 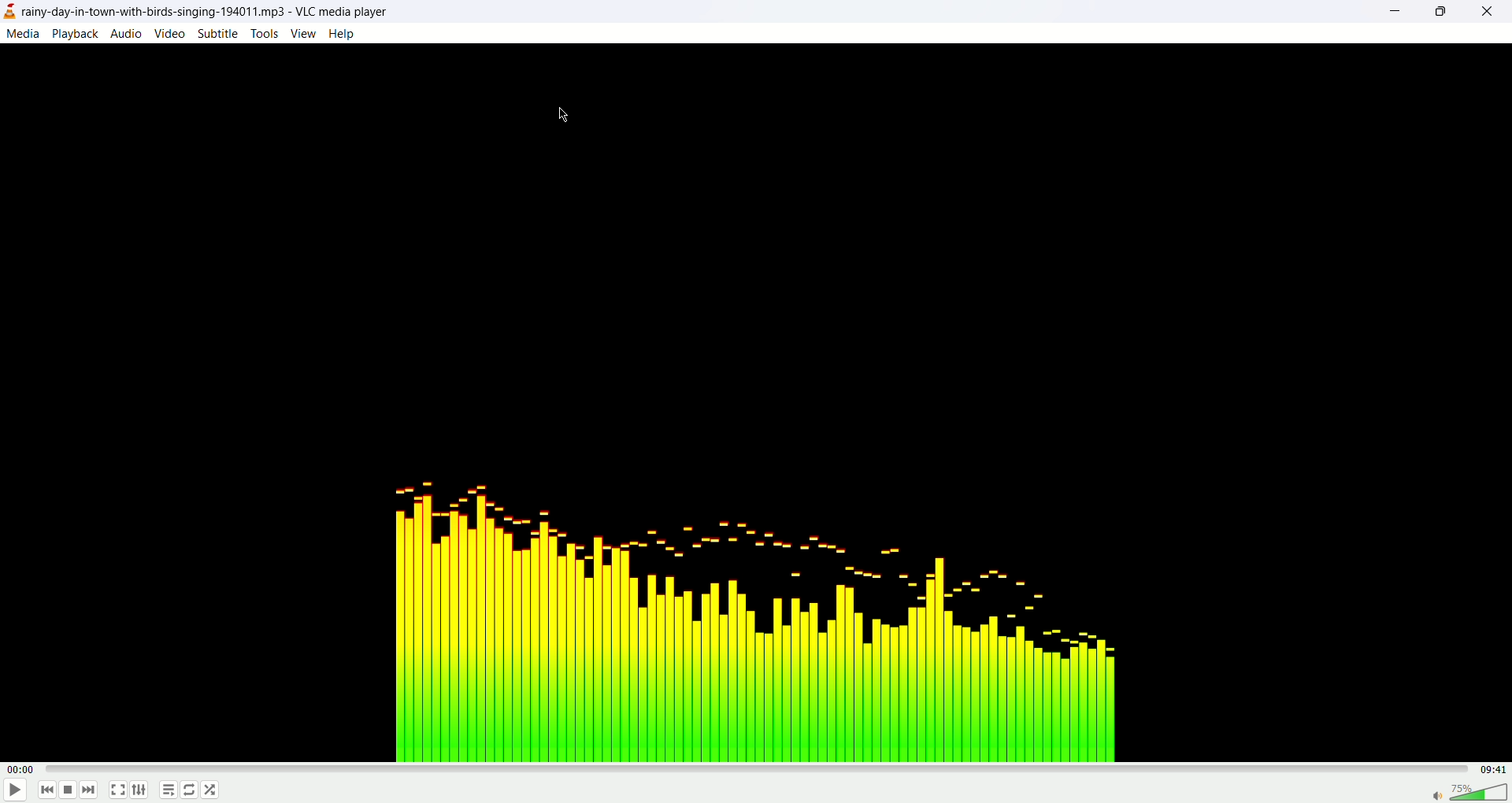 I want to click on media, so click(x=22, y=33).